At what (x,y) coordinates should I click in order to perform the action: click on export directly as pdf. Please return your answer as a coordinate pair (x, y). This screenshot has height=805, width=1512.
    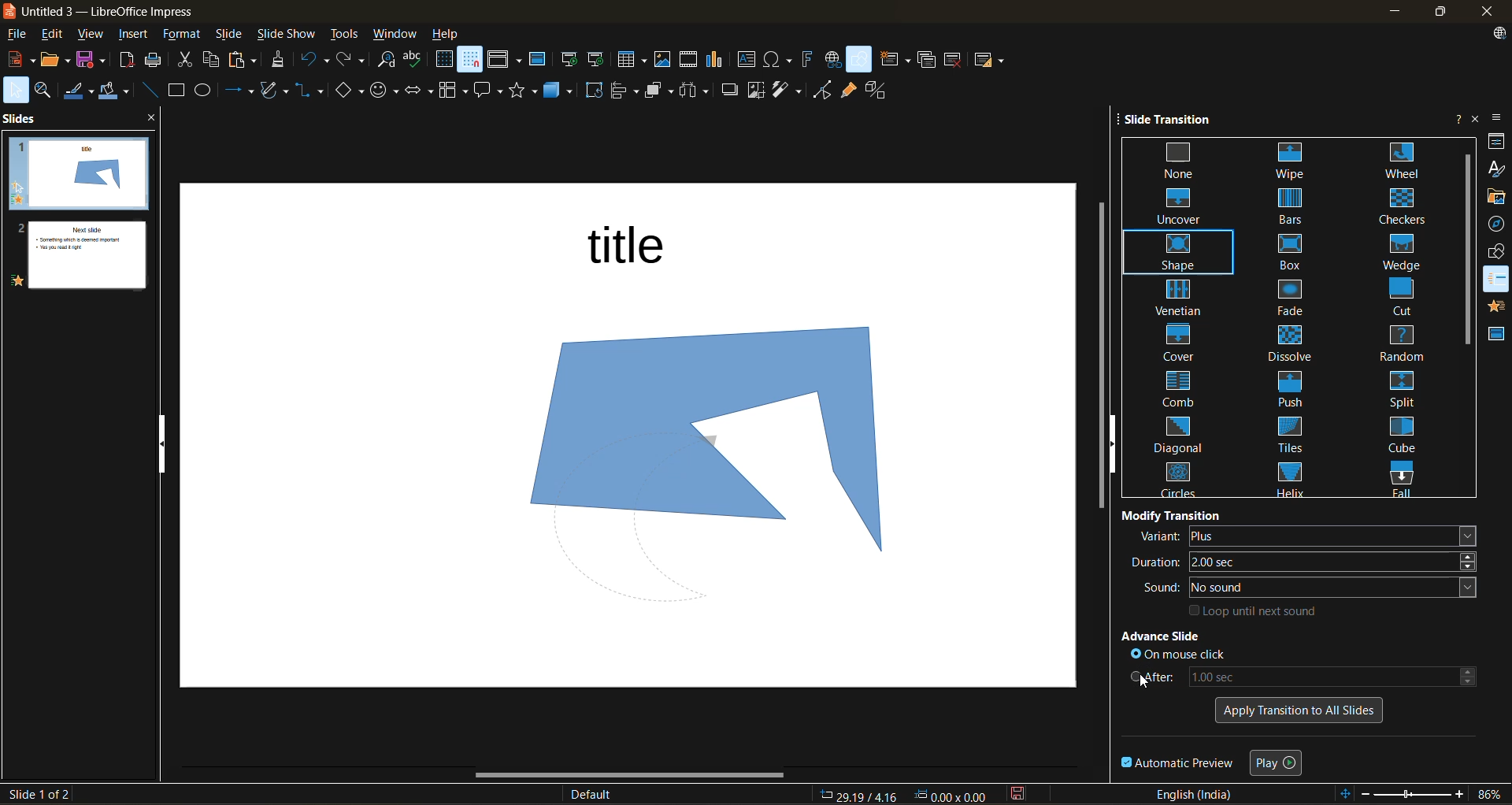
    Looking at the image, I should click on (128, 64).